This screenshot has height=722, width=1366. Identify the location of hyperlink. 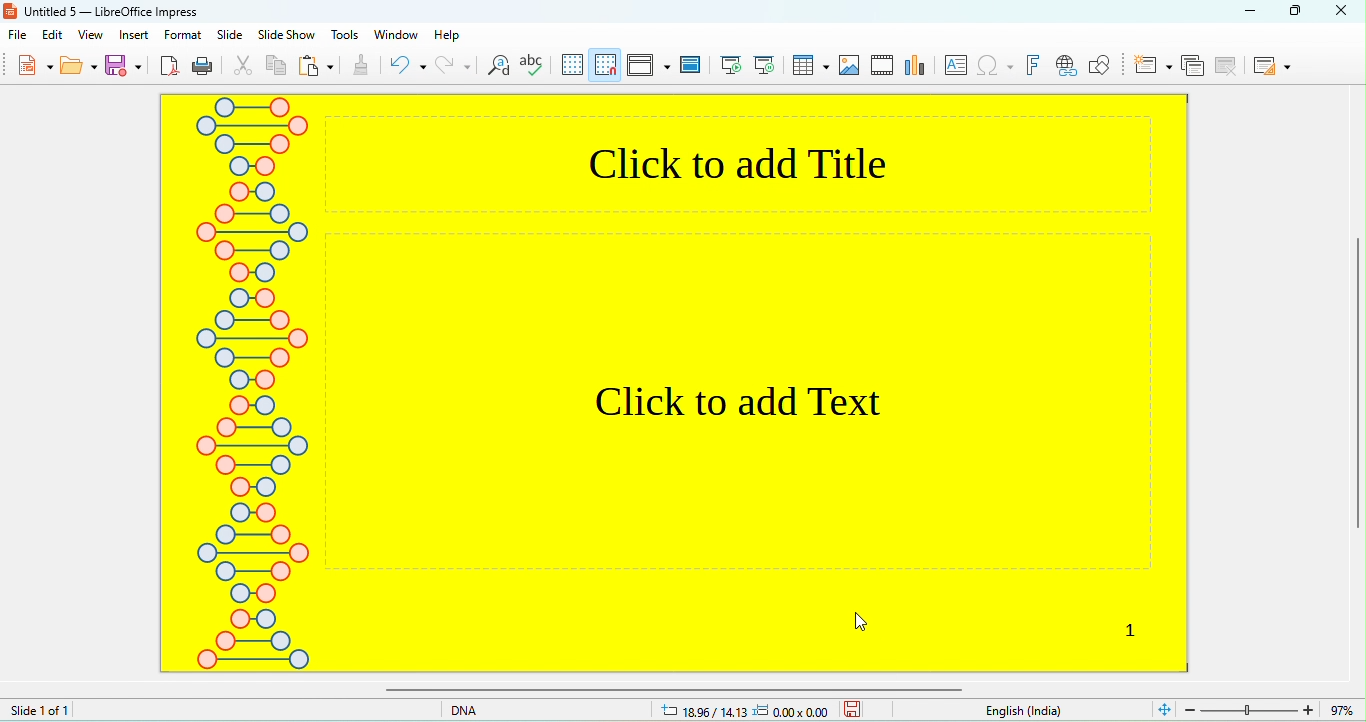
(1065, 67).